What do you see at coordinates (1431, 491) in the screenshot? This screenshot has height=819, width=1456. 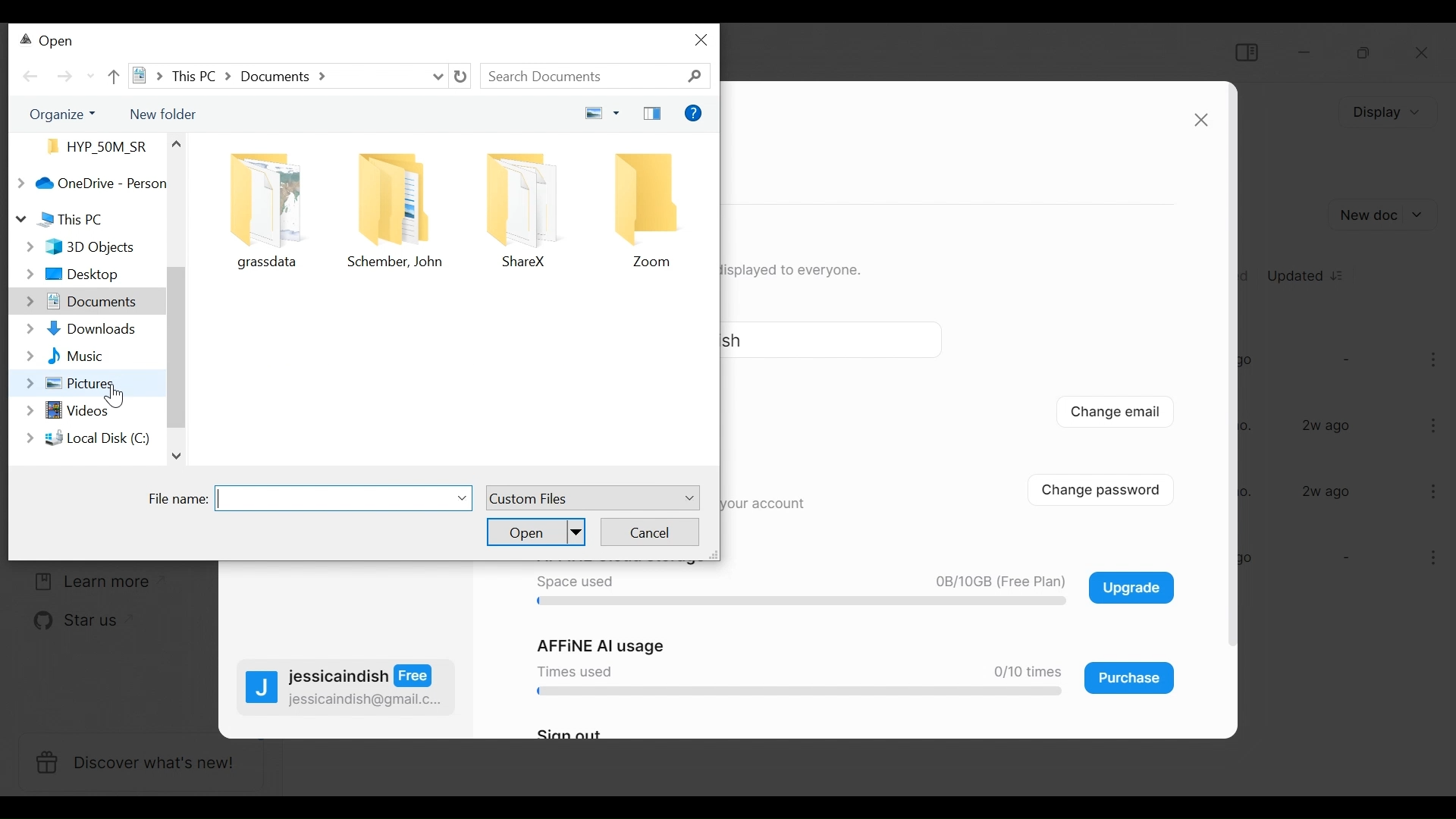 I see `more options` at bounding box center [1431, 491].